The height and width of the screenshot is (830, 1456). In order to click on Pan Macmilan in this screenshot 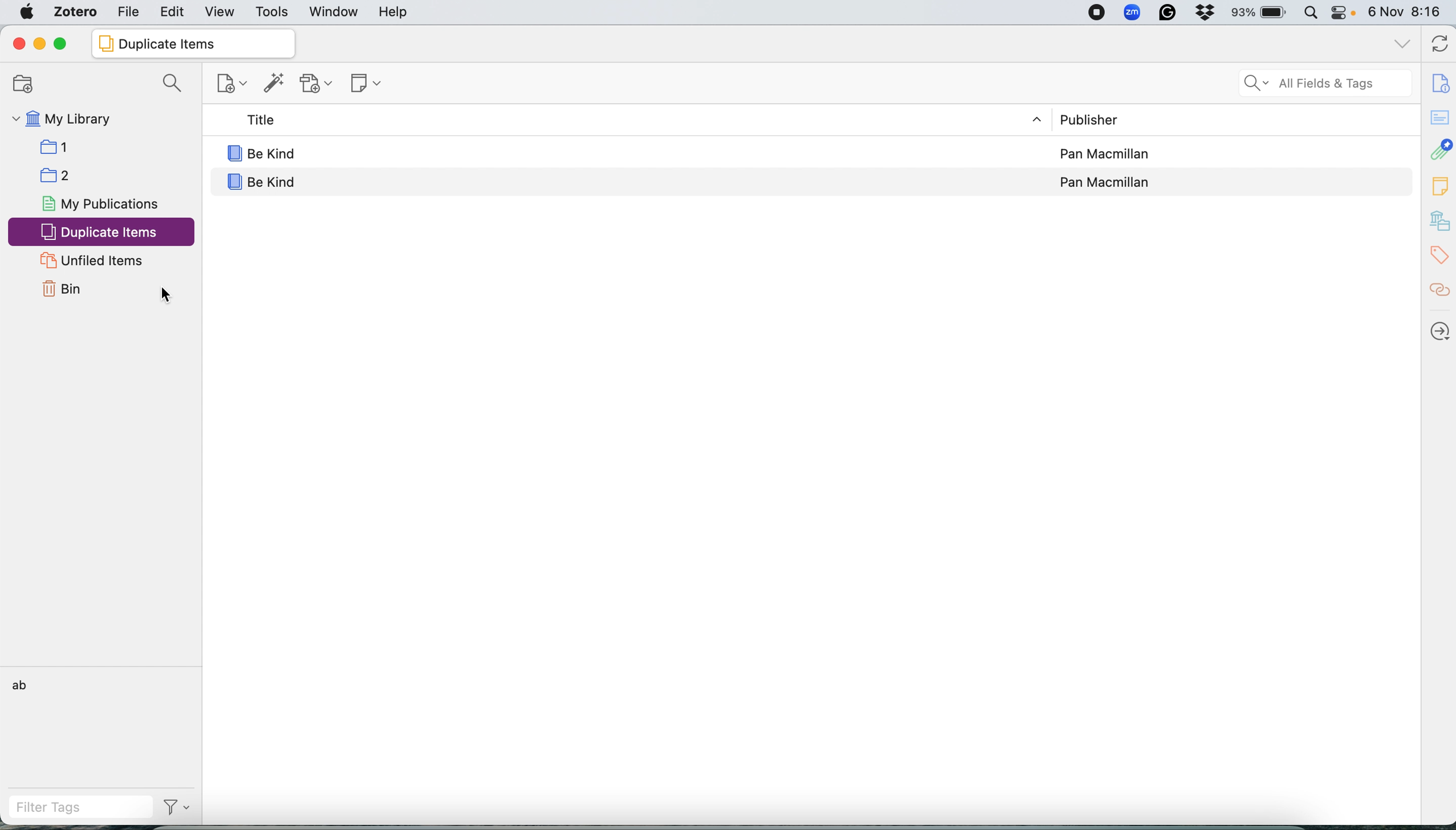, I will do `click(1106, 153)`.